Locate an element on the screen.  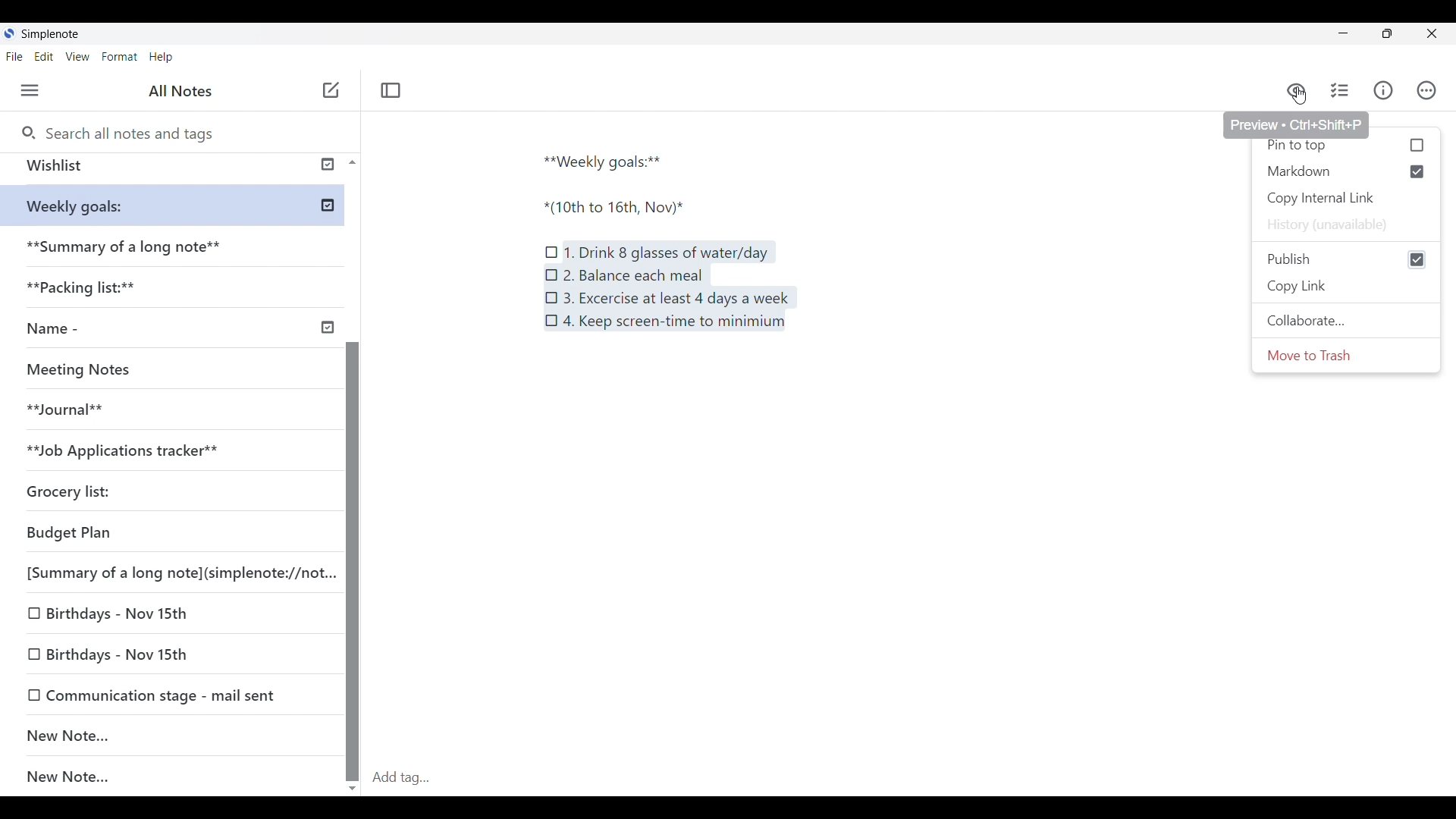
copy internal link is located at coordinates (1323, 199).